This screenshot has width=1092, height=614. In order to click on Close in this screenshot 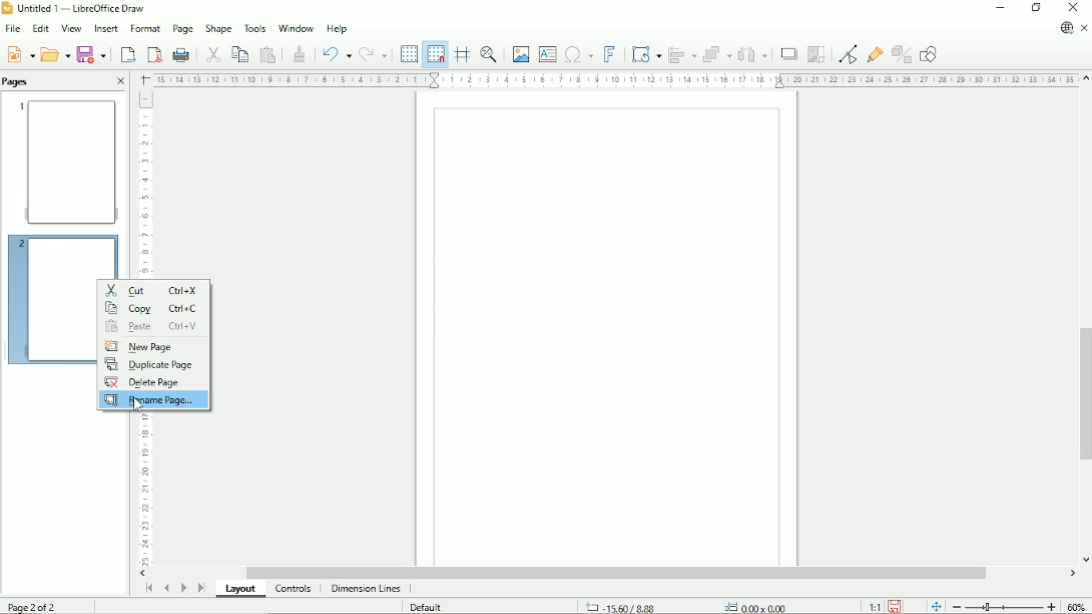, I will do `click(120, 82)`.